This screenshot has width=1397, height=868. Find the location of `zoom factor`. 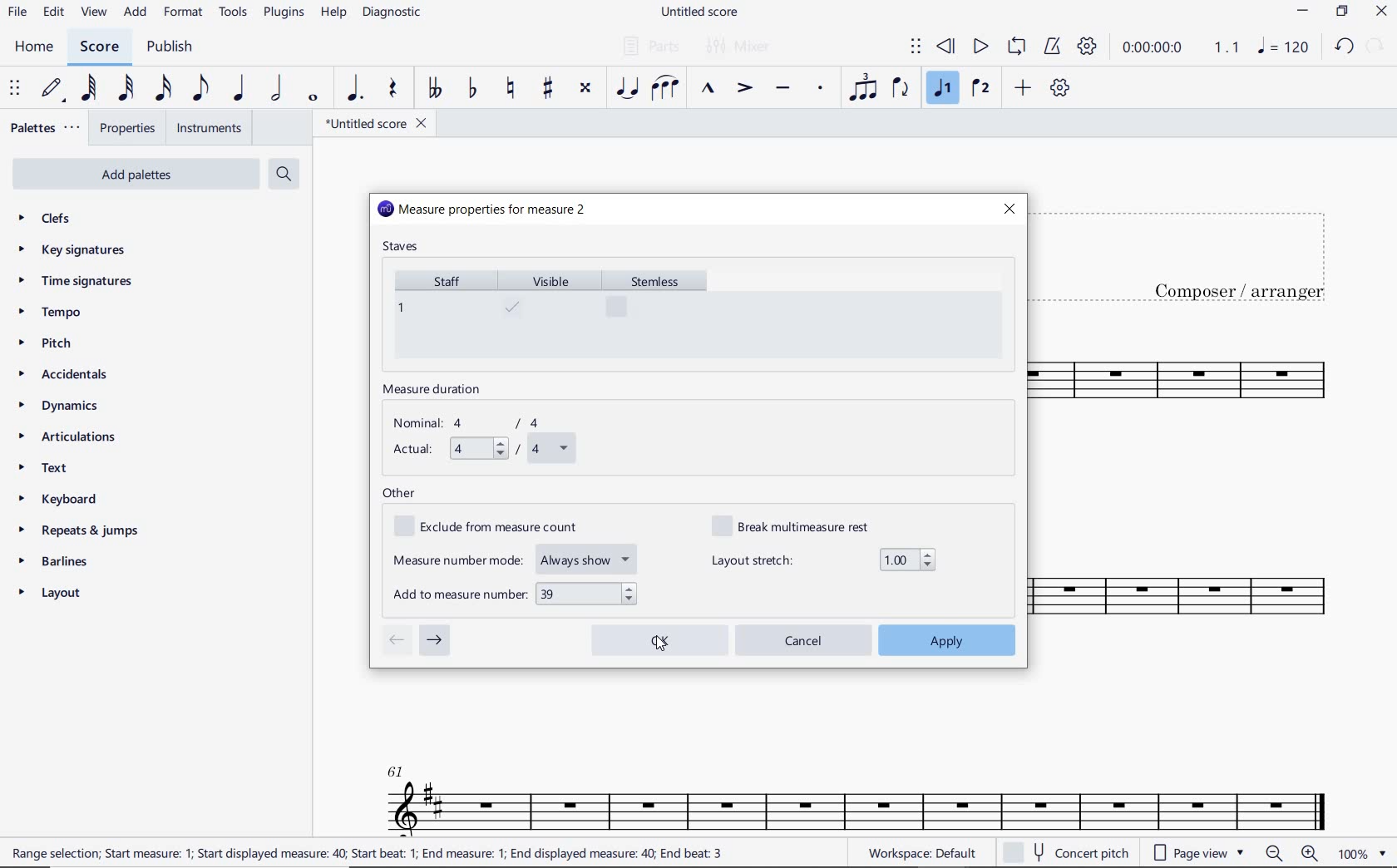

zoom factor is located at coordinates (1360, 854).